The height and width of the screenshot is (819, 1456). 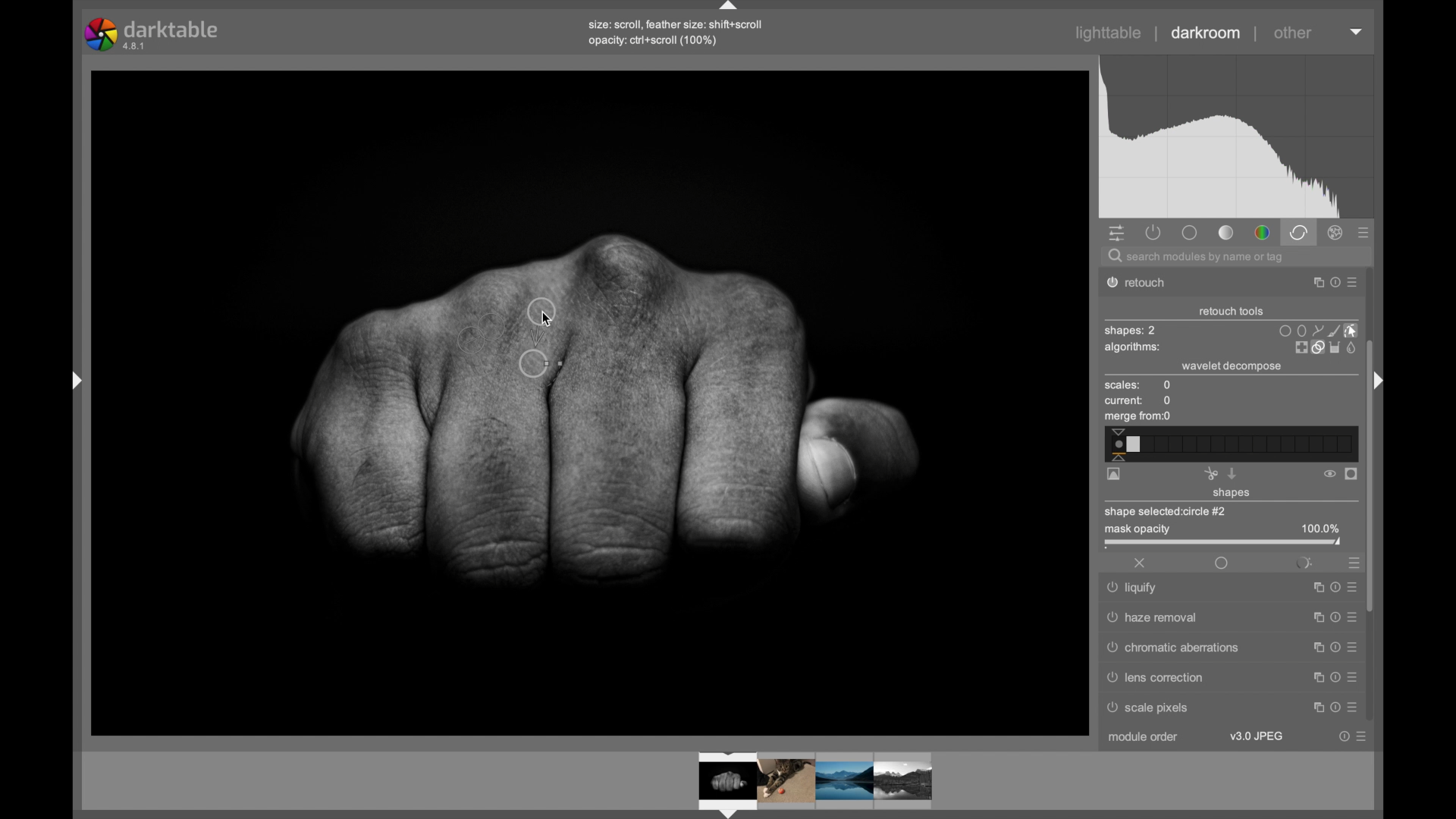 I want to click on mask opacity, so click(x=1135, y=531).